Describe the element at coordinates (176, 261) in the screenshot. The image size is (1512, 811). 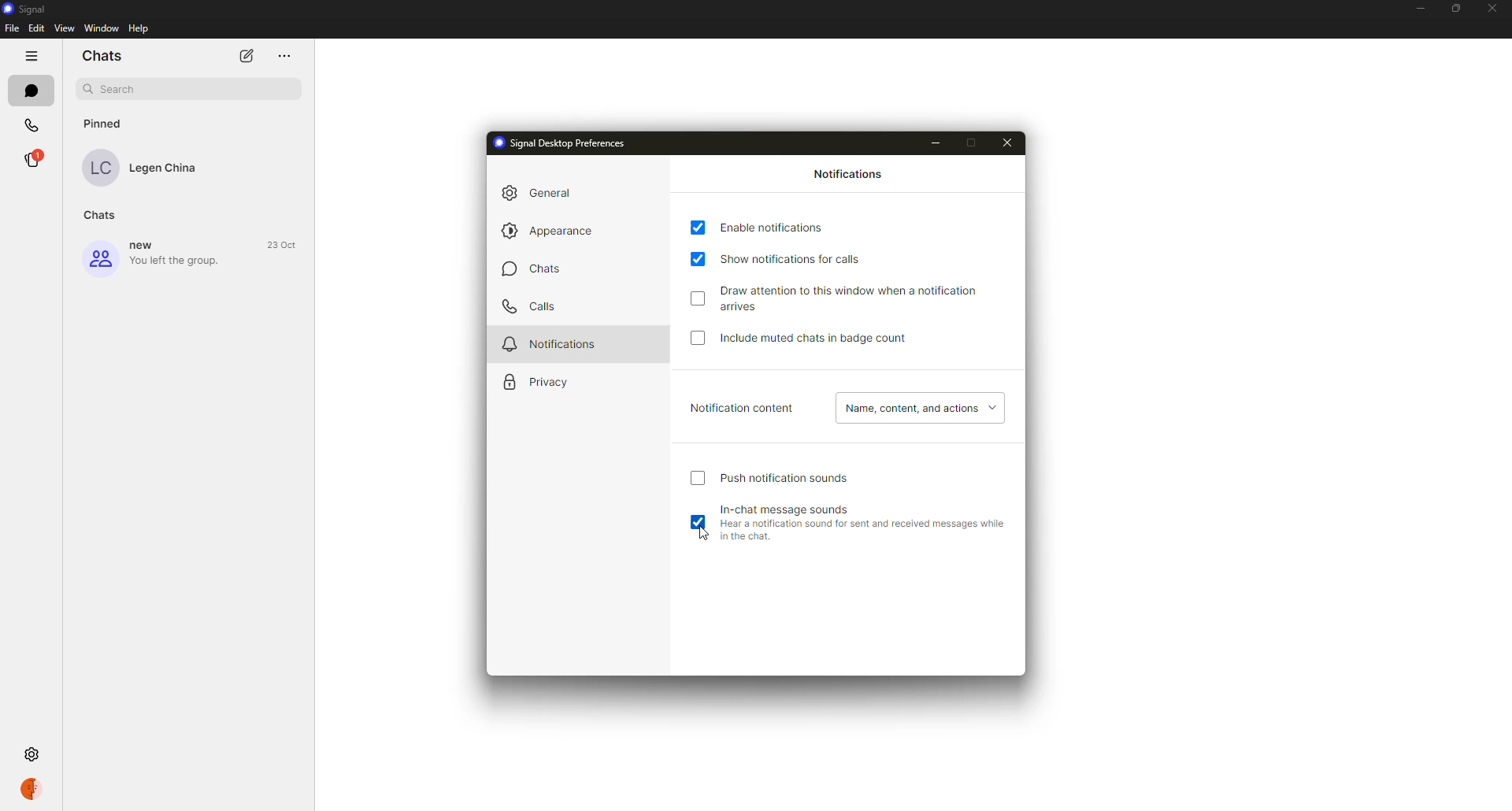
I see `You left the group.` at that location.